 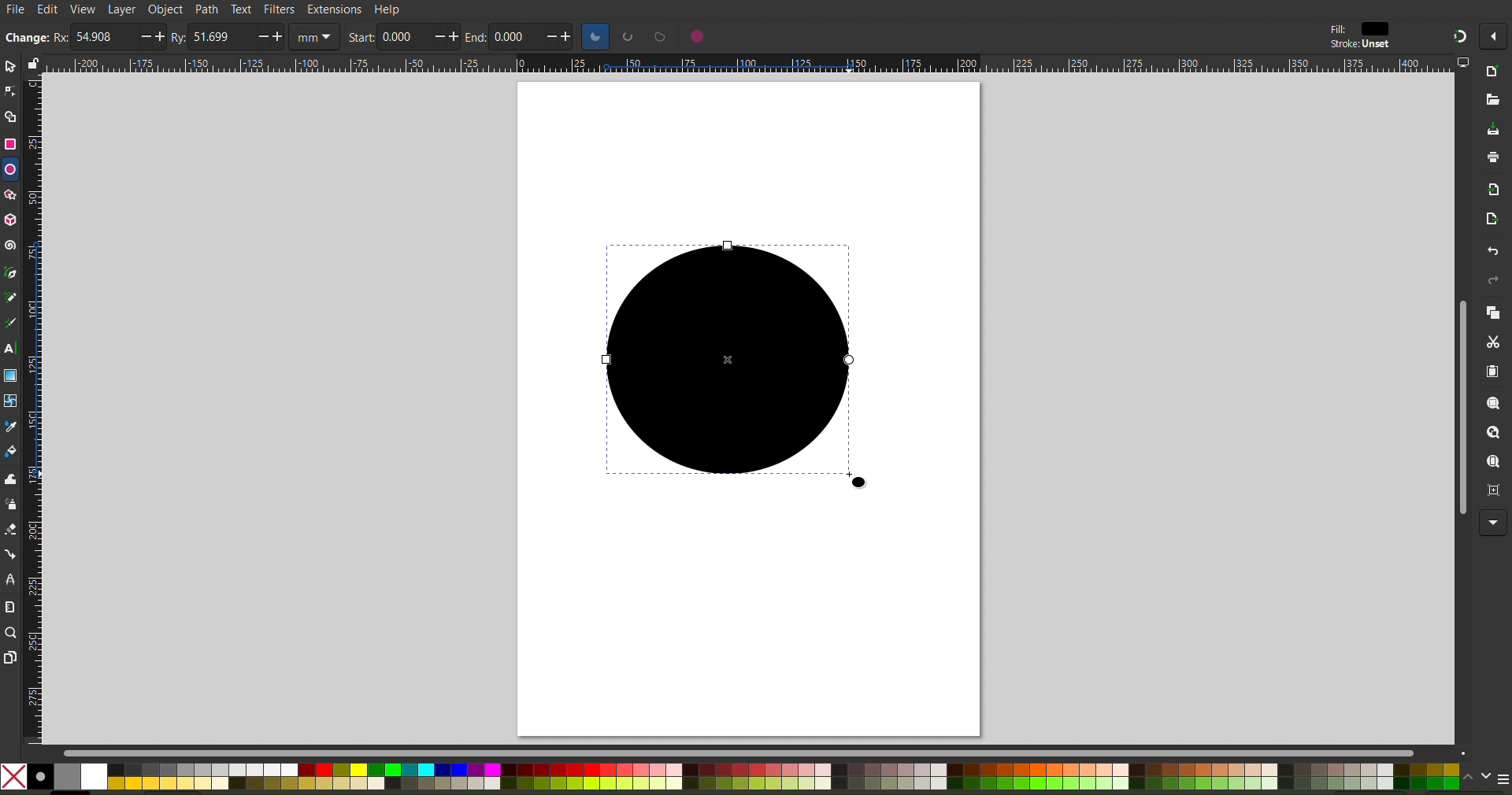 I want to click on Open Export, so click(x=1495, y=217).